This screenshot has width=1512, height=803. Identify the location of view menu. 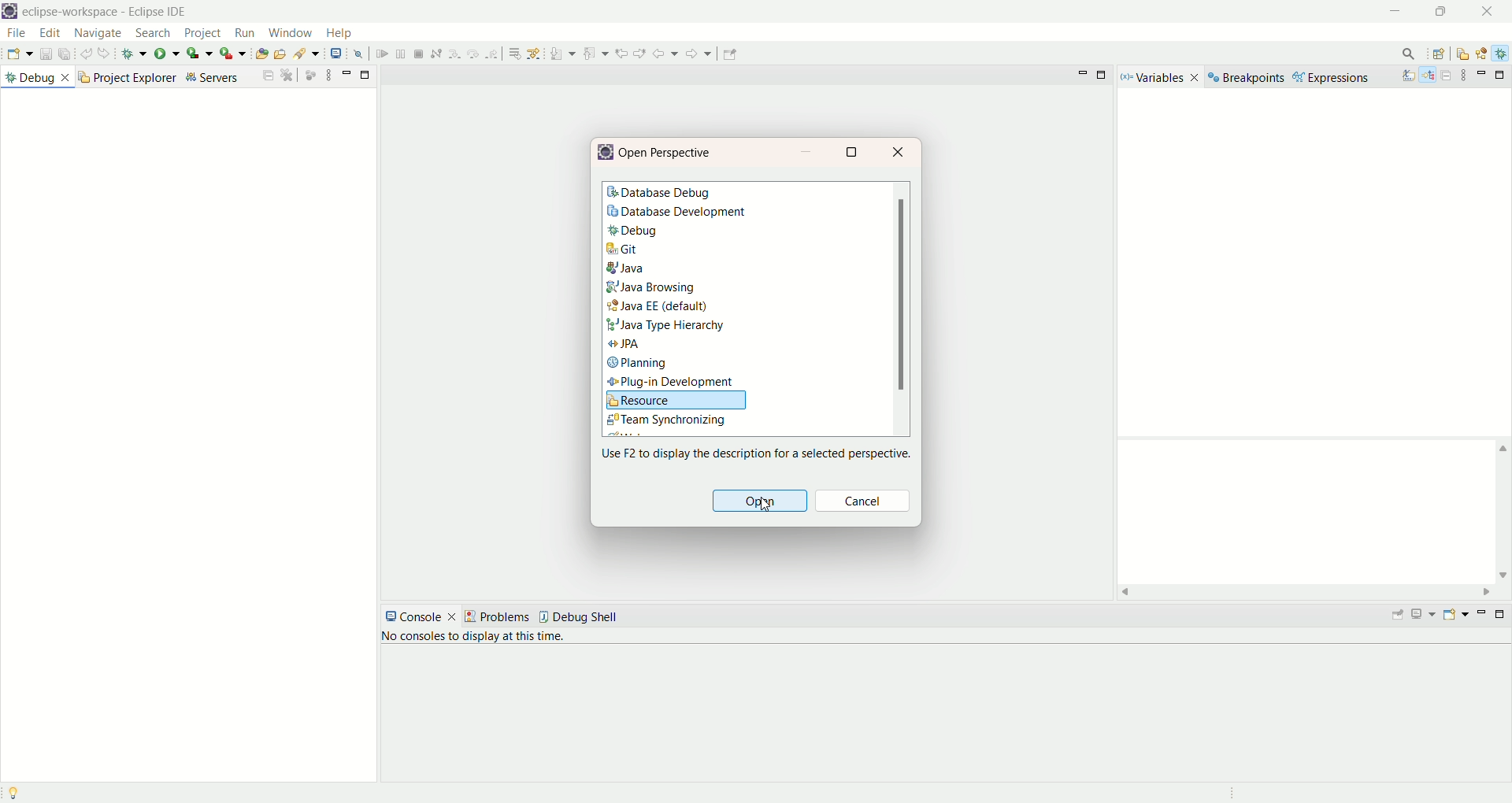
(1467, 76).